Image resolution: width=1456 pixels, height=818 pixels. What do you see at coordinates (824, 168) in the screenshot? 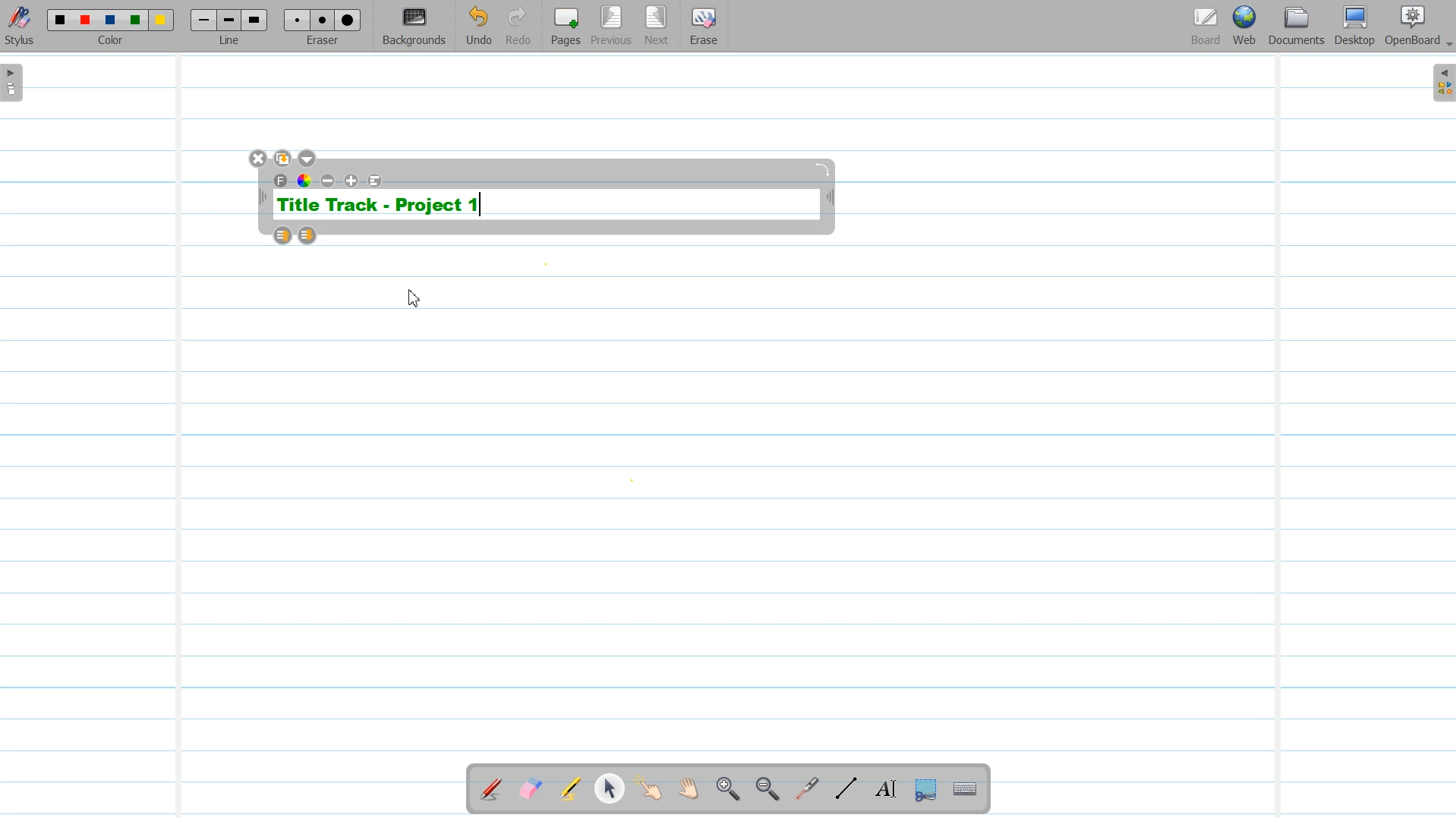
I see `Rotate Text window` at bounding box center [824, 168].